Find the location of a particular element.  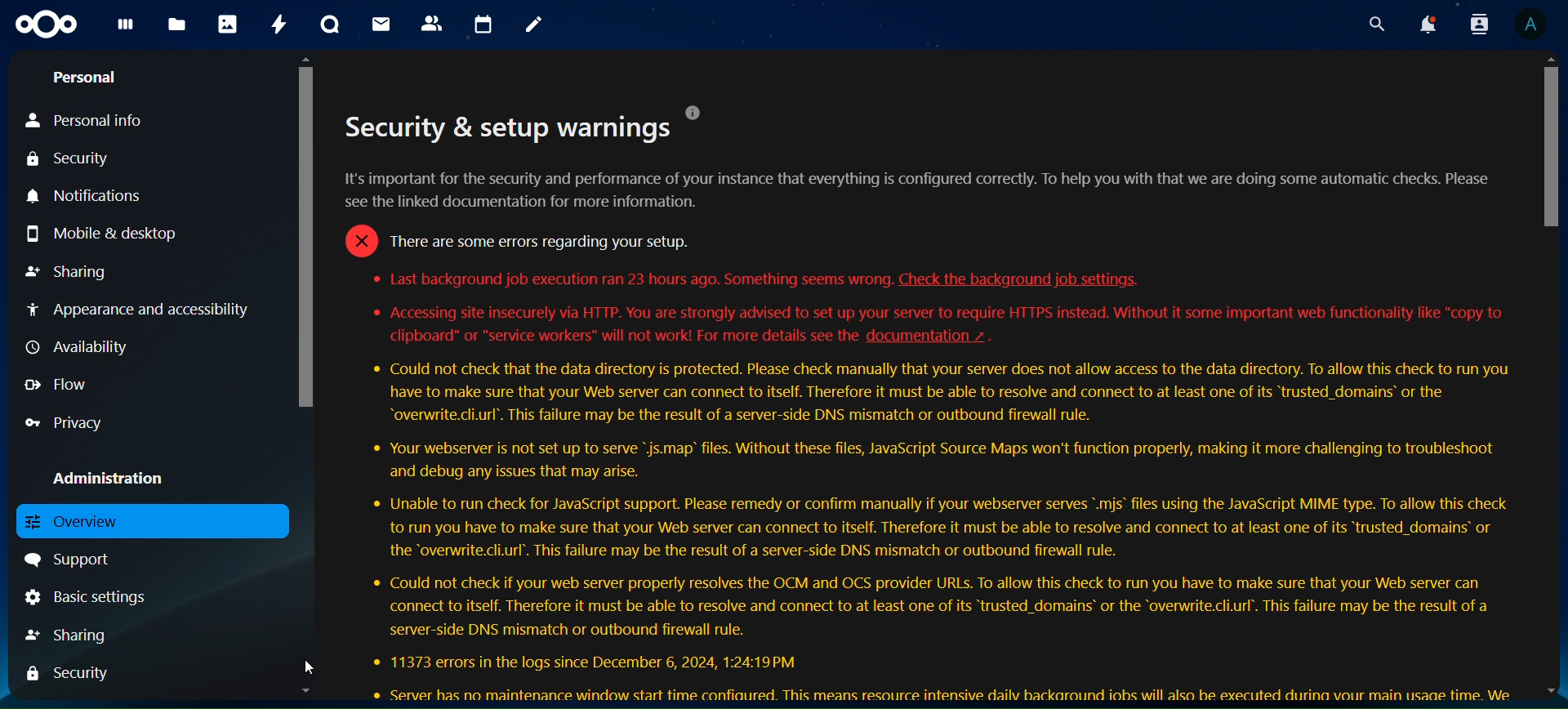

sharing is located at coordinates (65, 273).